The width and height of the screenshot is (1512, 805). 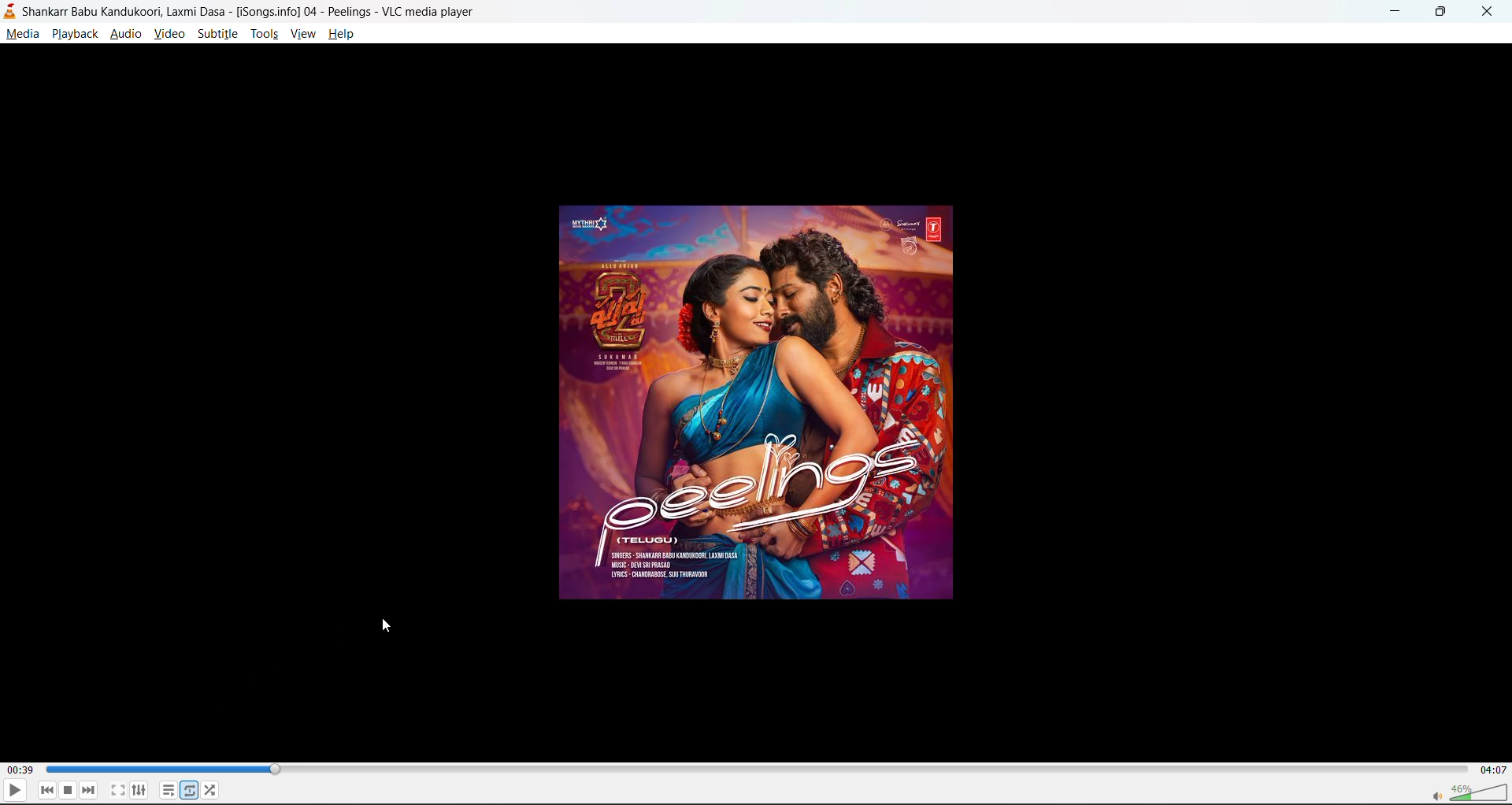 What do you see at coordinates (345, 36) in the screenshot?
I see `help` at bounding box center [345, 36].